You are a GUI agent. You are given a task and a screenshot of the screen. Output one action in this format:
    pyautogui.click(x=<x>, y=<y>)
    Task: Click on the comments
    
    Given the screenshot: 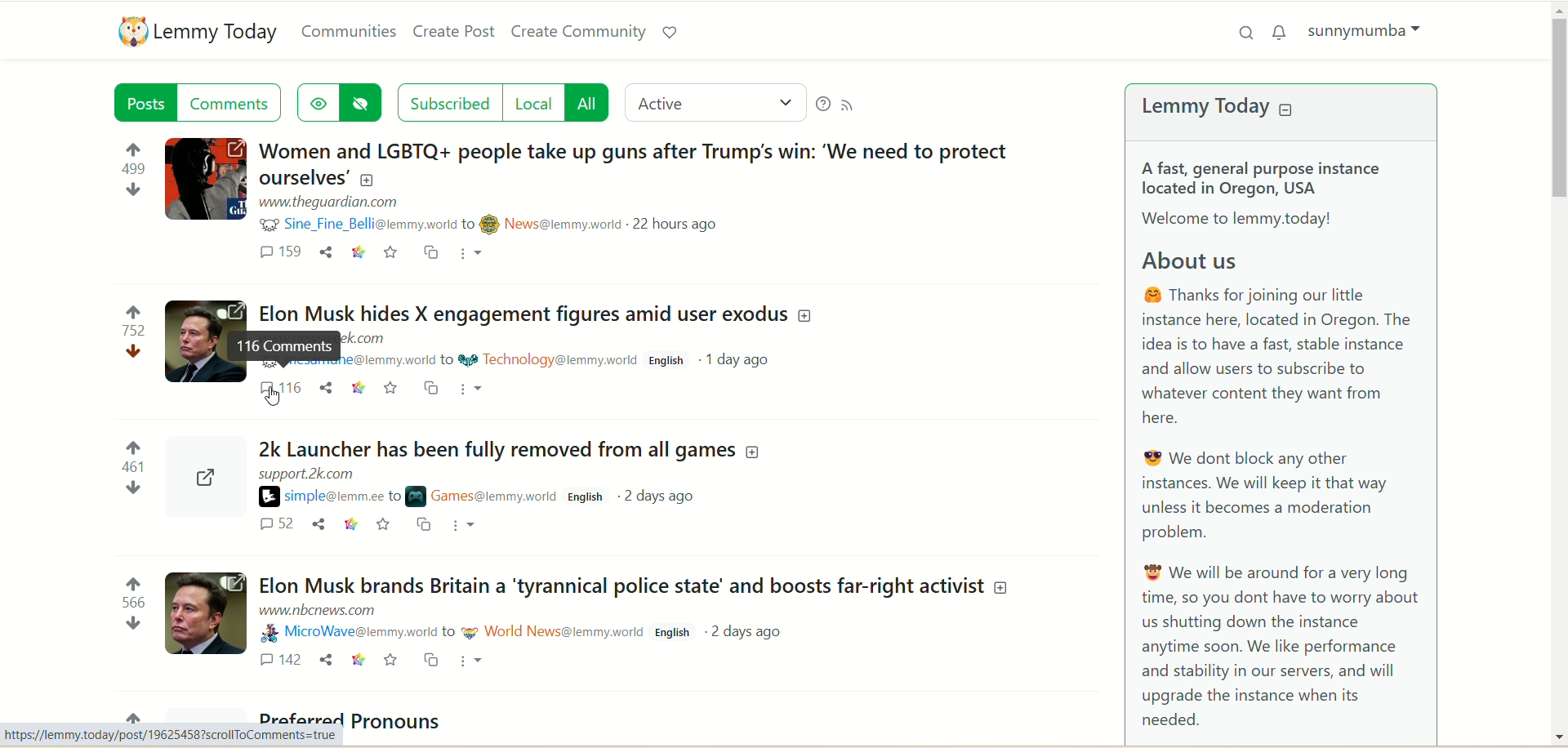 What is the action you would take?
    pyautogui.click(x=229, y=102)
    